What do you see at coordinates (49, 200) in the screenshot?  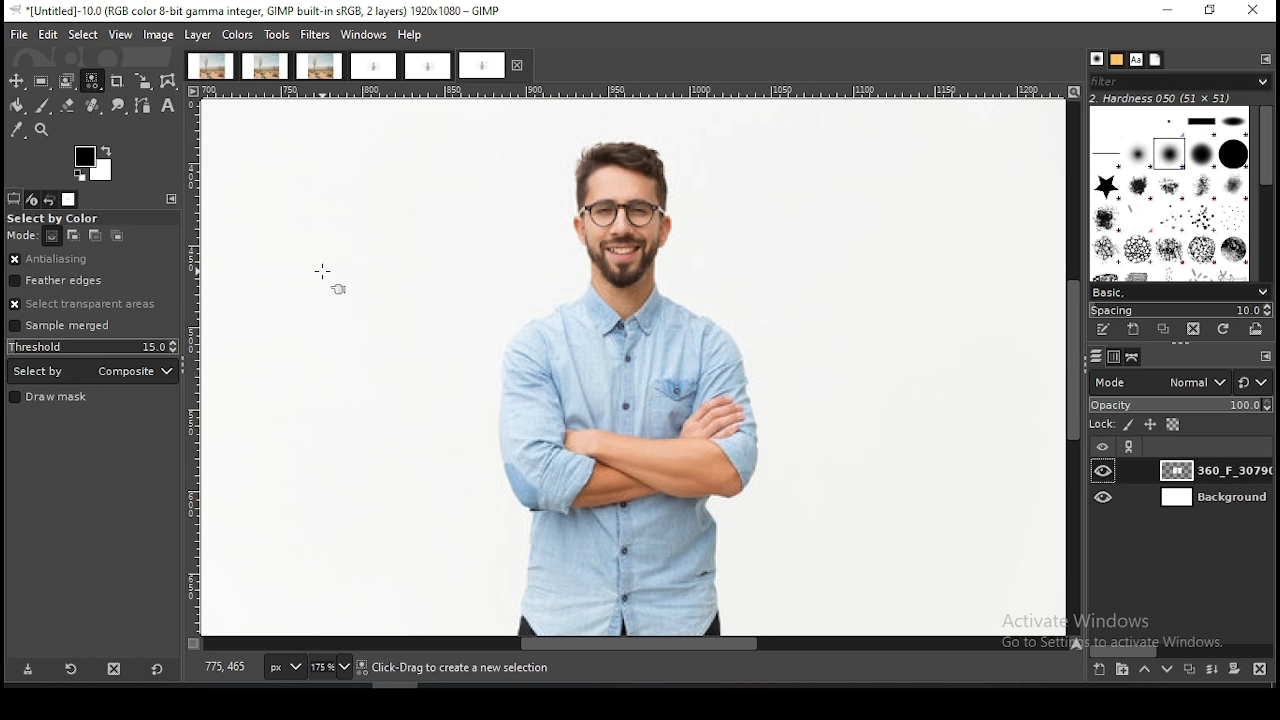 I see `undo history` at bounding box center [49, 200].